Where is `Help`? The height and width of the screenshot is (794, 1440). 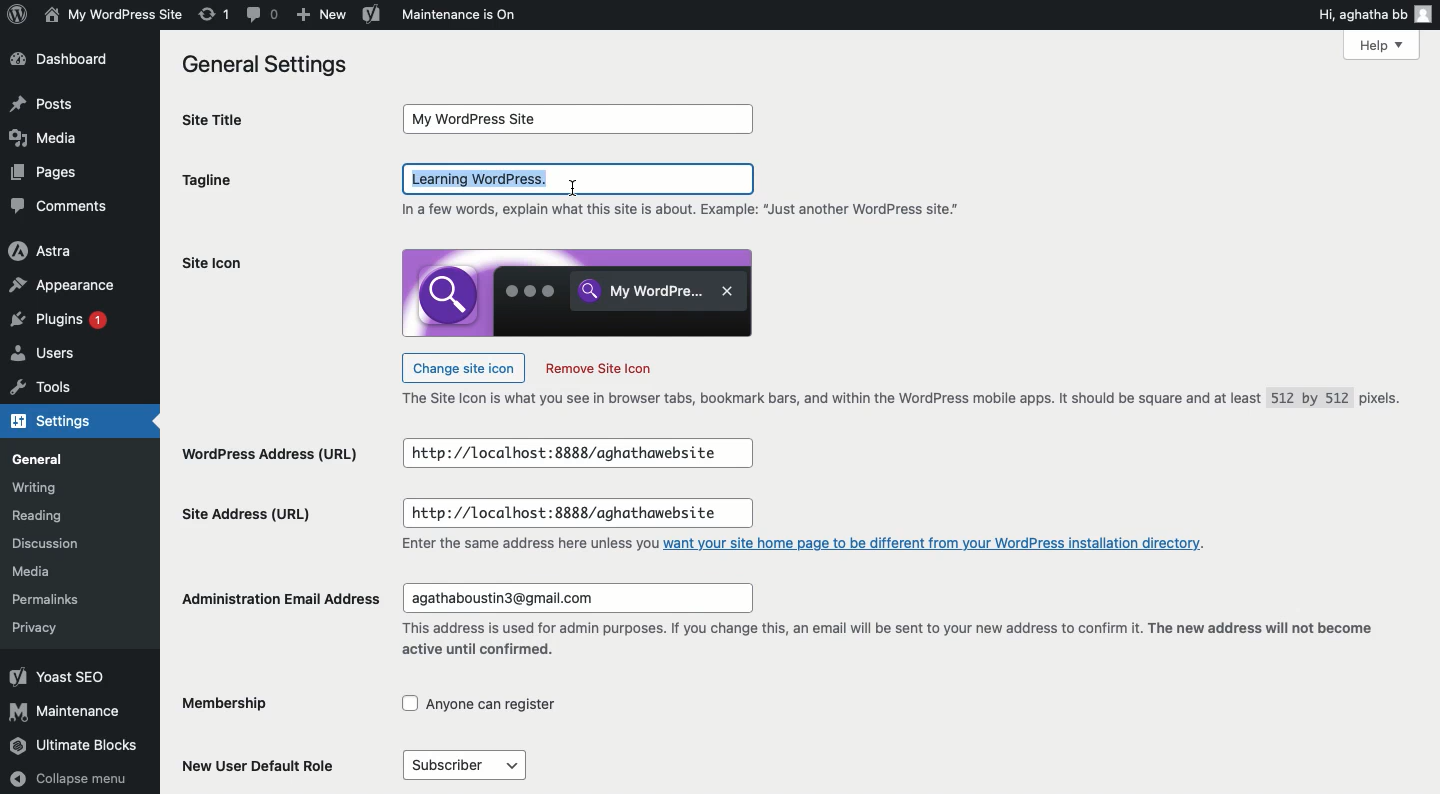 Help is located at coordinates (1381, 44).